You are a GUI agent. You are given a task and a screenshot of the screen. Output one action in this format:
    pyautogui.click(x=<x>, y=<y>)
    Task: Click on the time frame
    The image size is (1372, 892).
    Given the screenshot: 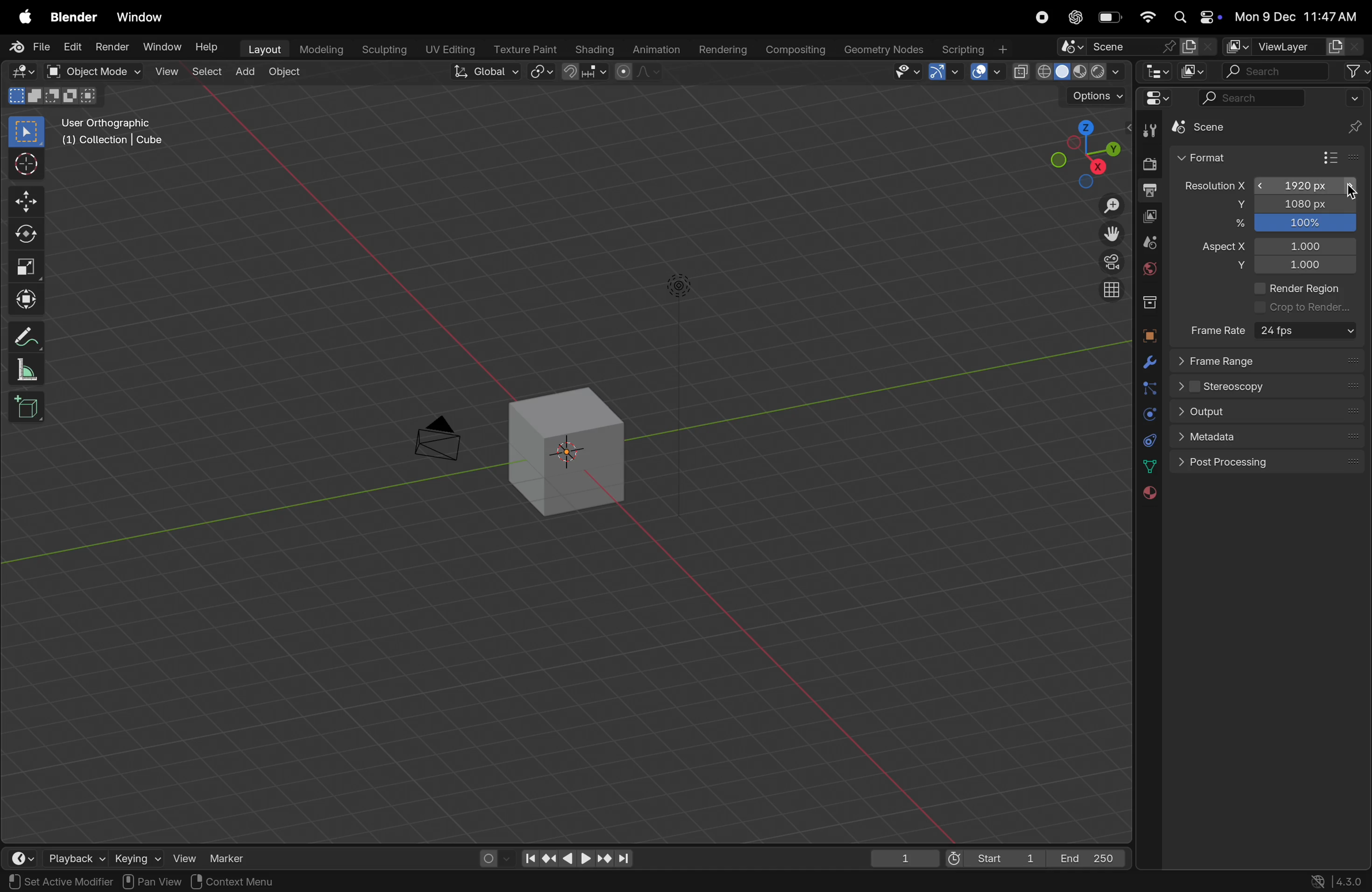 What is the action you would take?
    pyautogui.click(x=24, y=857)
    